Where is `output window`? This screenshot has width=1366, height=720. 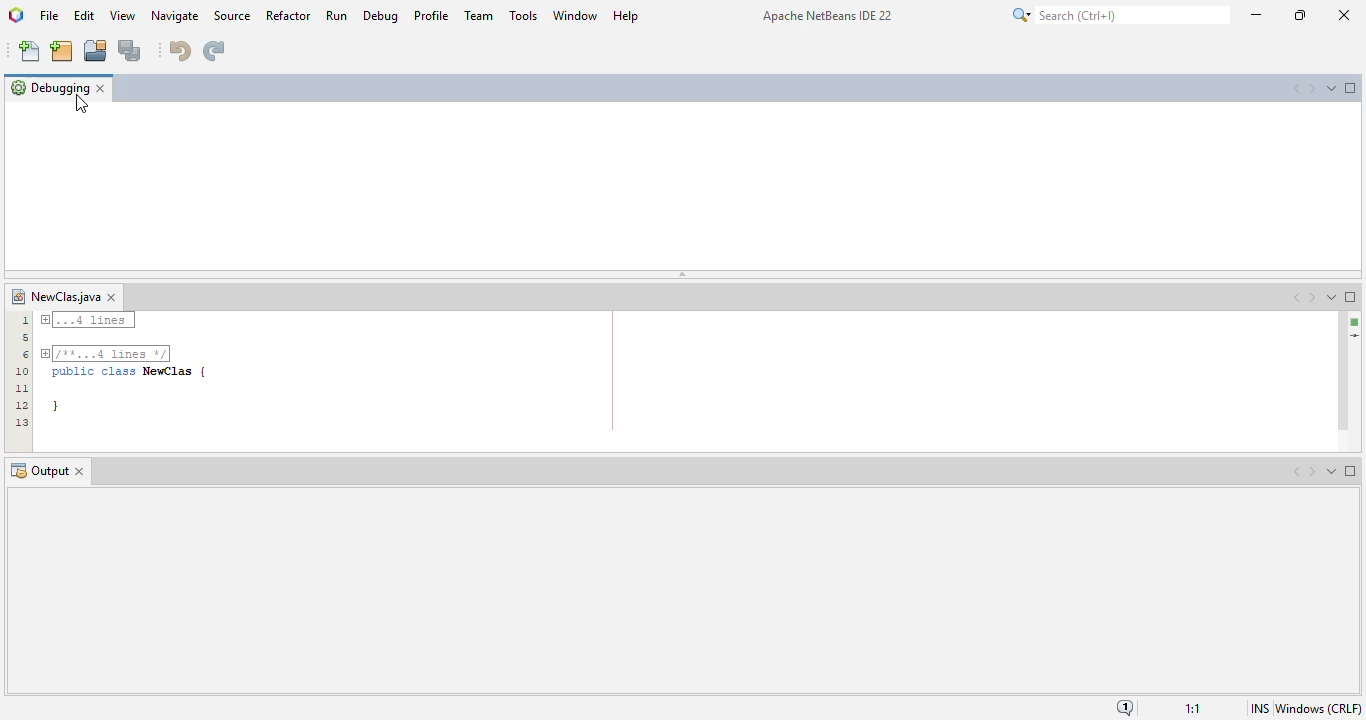
output window is located at coordinates (675, 590).